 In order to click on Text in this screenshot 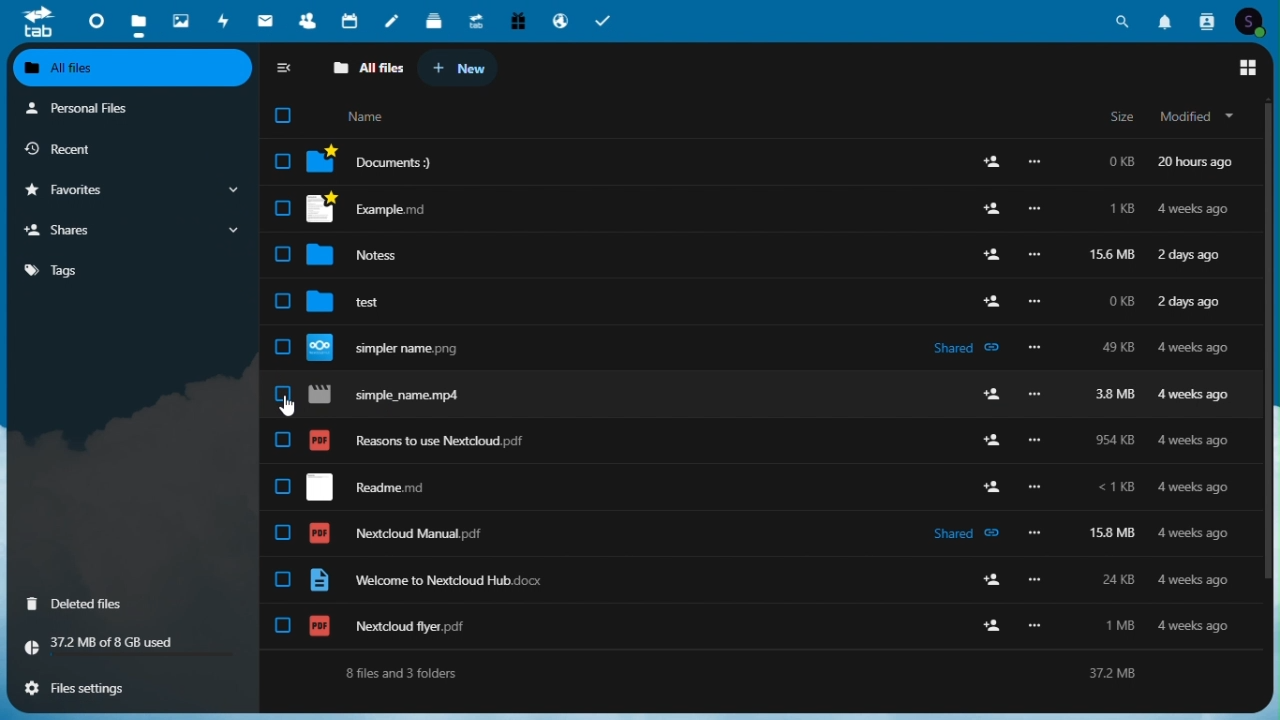, I will do `click(751, 672)`.